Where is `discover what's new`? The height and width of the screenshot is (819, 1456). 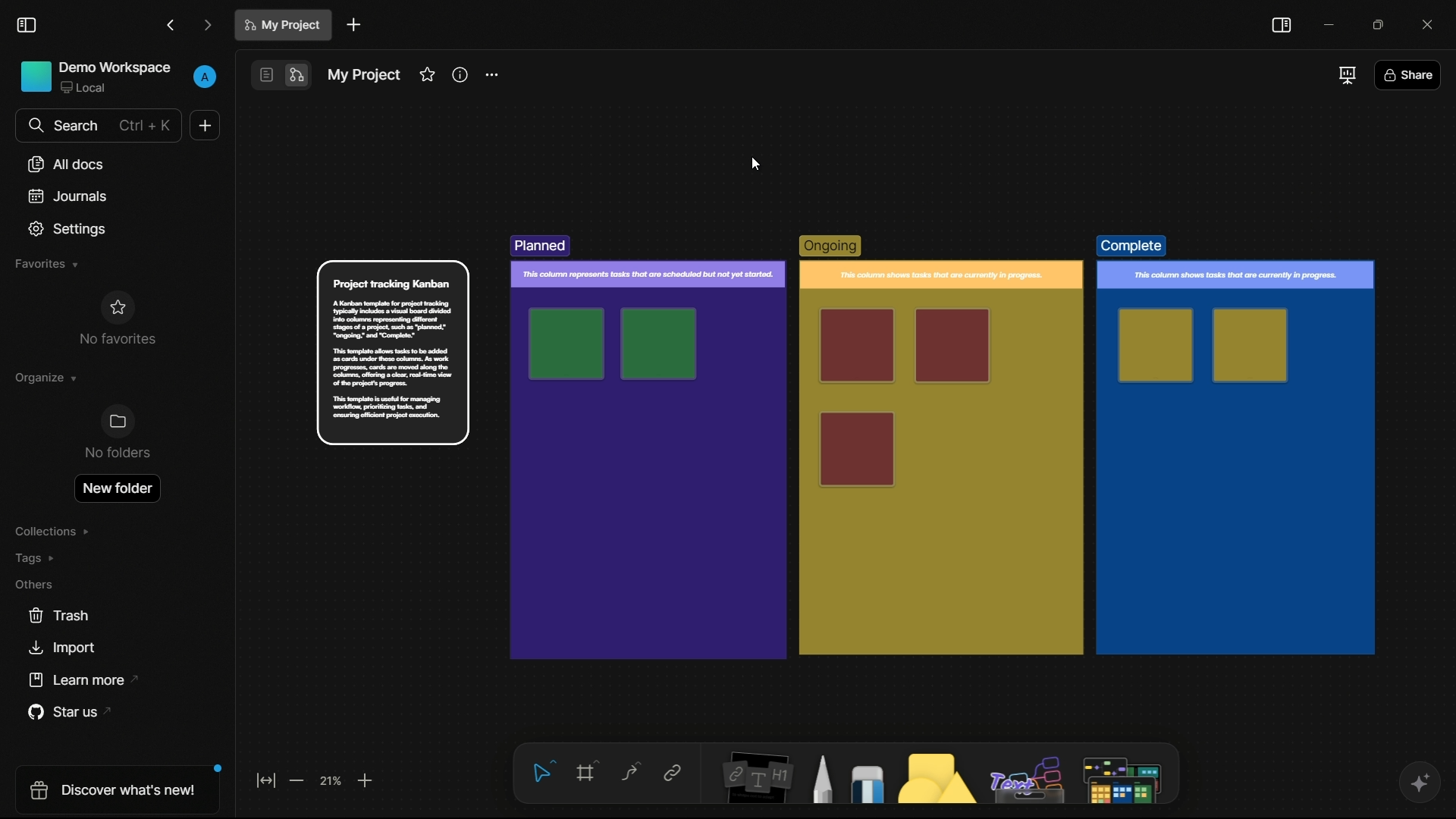 discover what's new is located at coordinates (121, 789).